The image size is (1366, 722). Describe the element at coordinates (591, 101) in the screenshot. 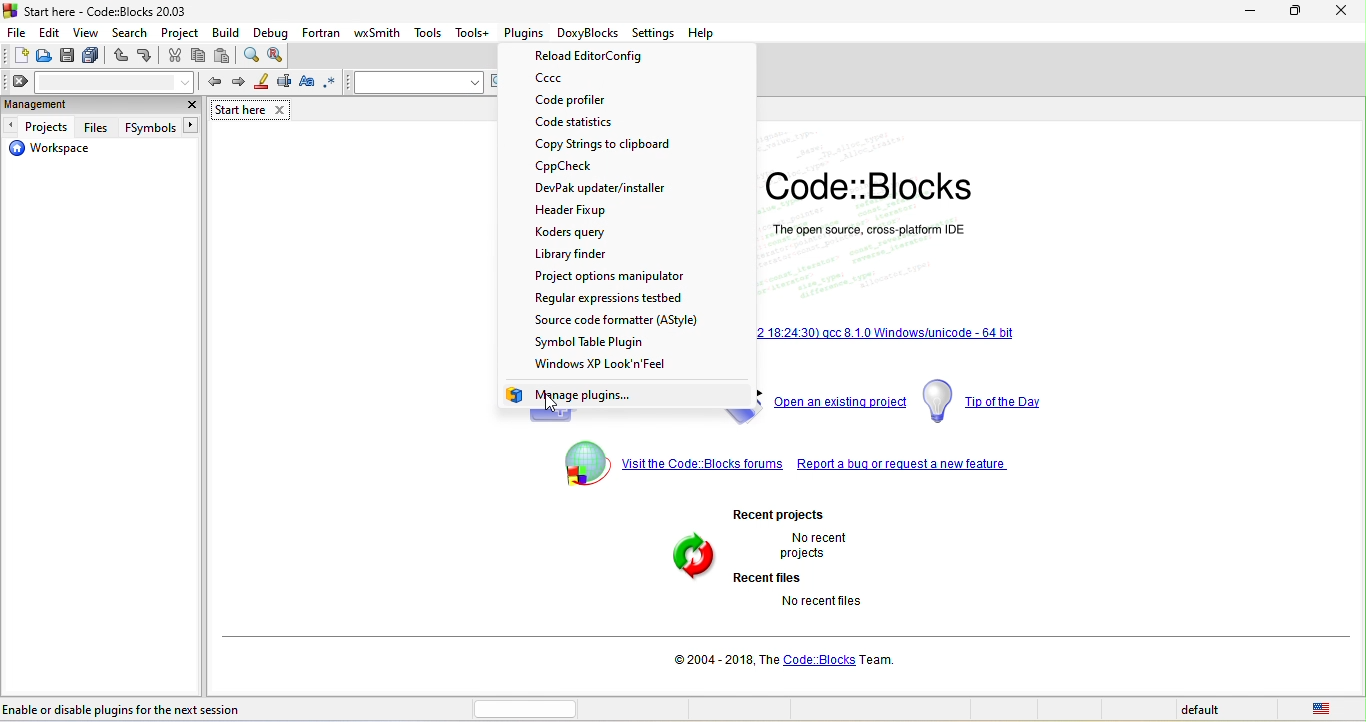

I see `code profiler` at that location.